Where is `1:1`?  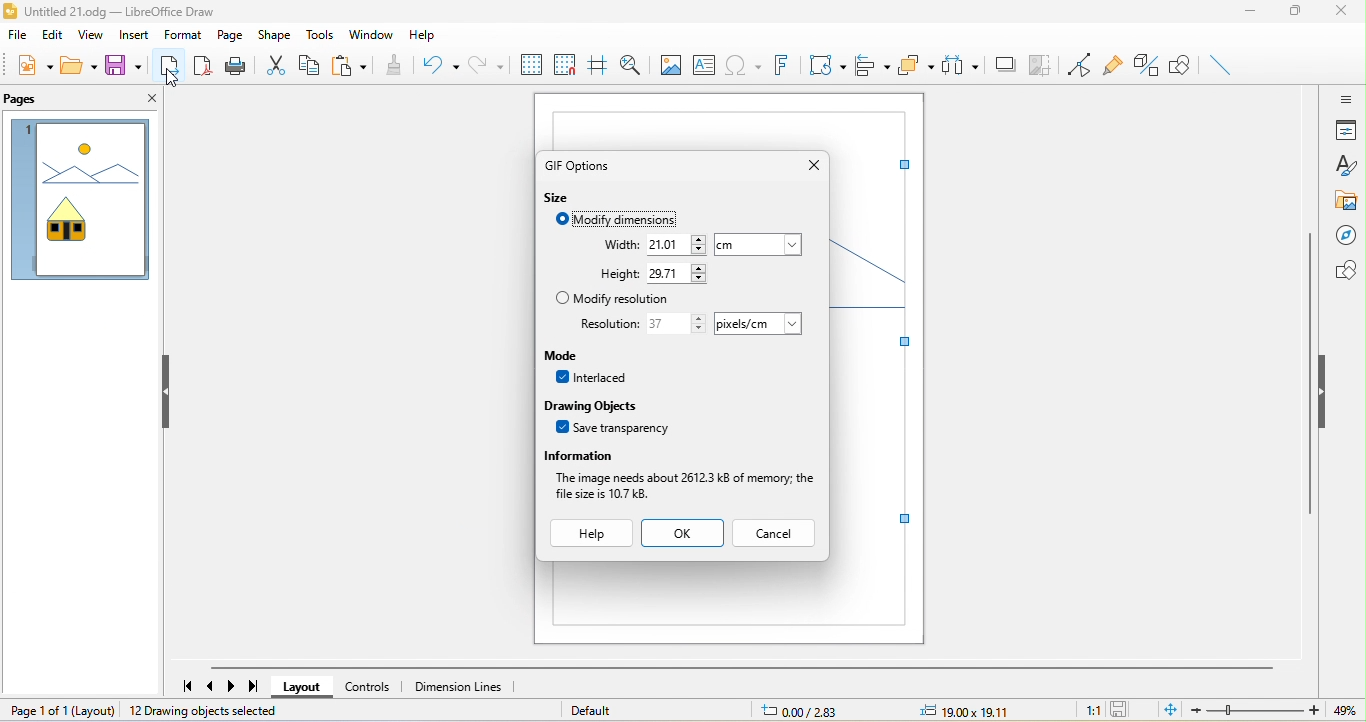
1:1 is located at coordinates (1087, 710).